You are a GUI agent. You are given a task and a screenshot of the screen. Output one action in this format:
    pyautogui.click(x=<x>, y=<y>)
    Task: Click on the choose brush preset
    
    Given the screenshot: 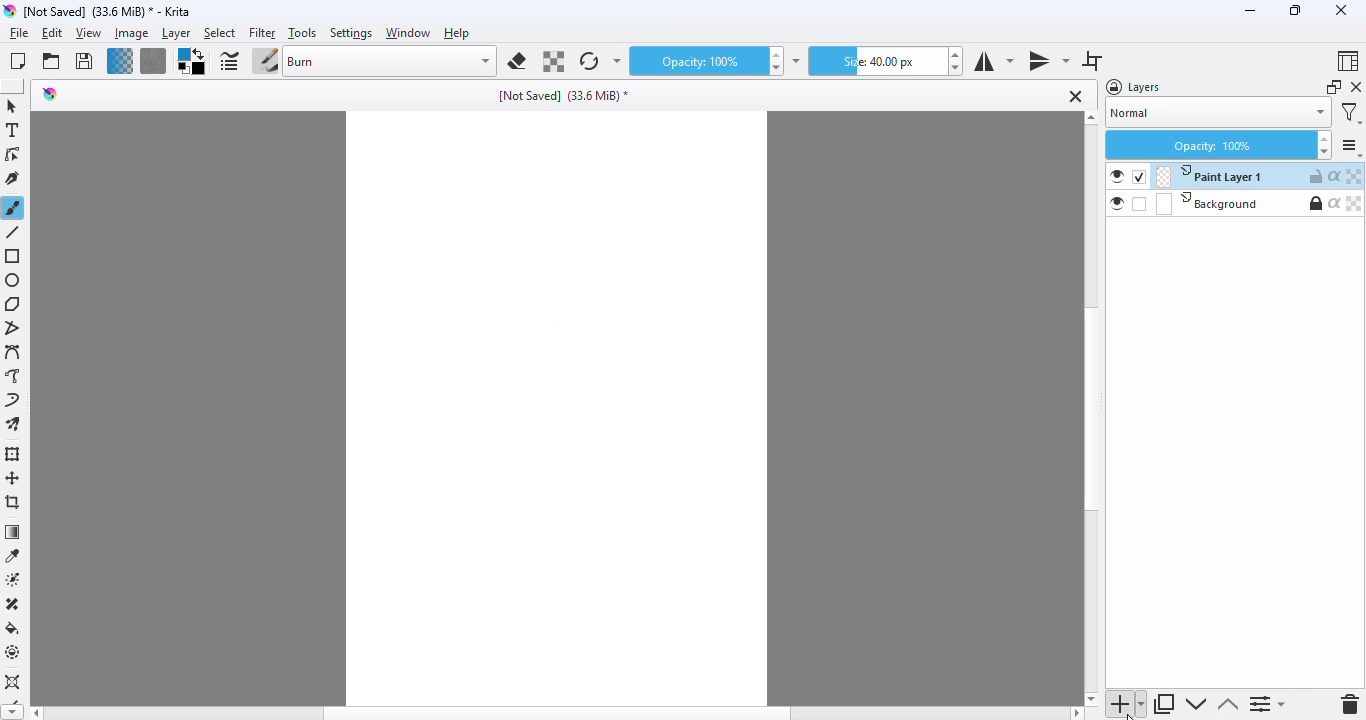 What is the action you would take?
    pyautogui.click(x=265, y=62)
    